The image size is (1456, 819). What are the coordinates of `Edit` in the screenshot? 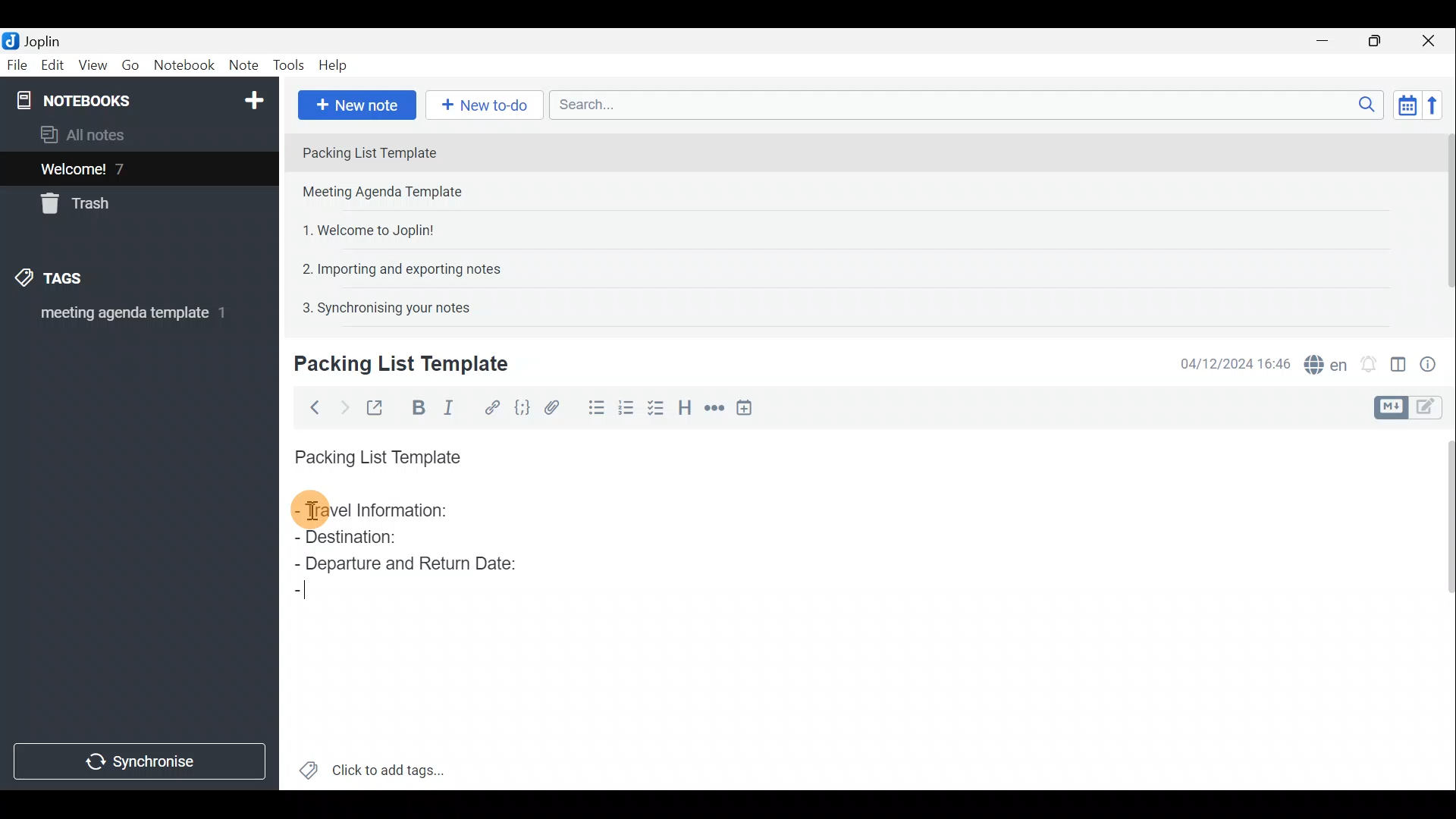 It's located at (49, 66).